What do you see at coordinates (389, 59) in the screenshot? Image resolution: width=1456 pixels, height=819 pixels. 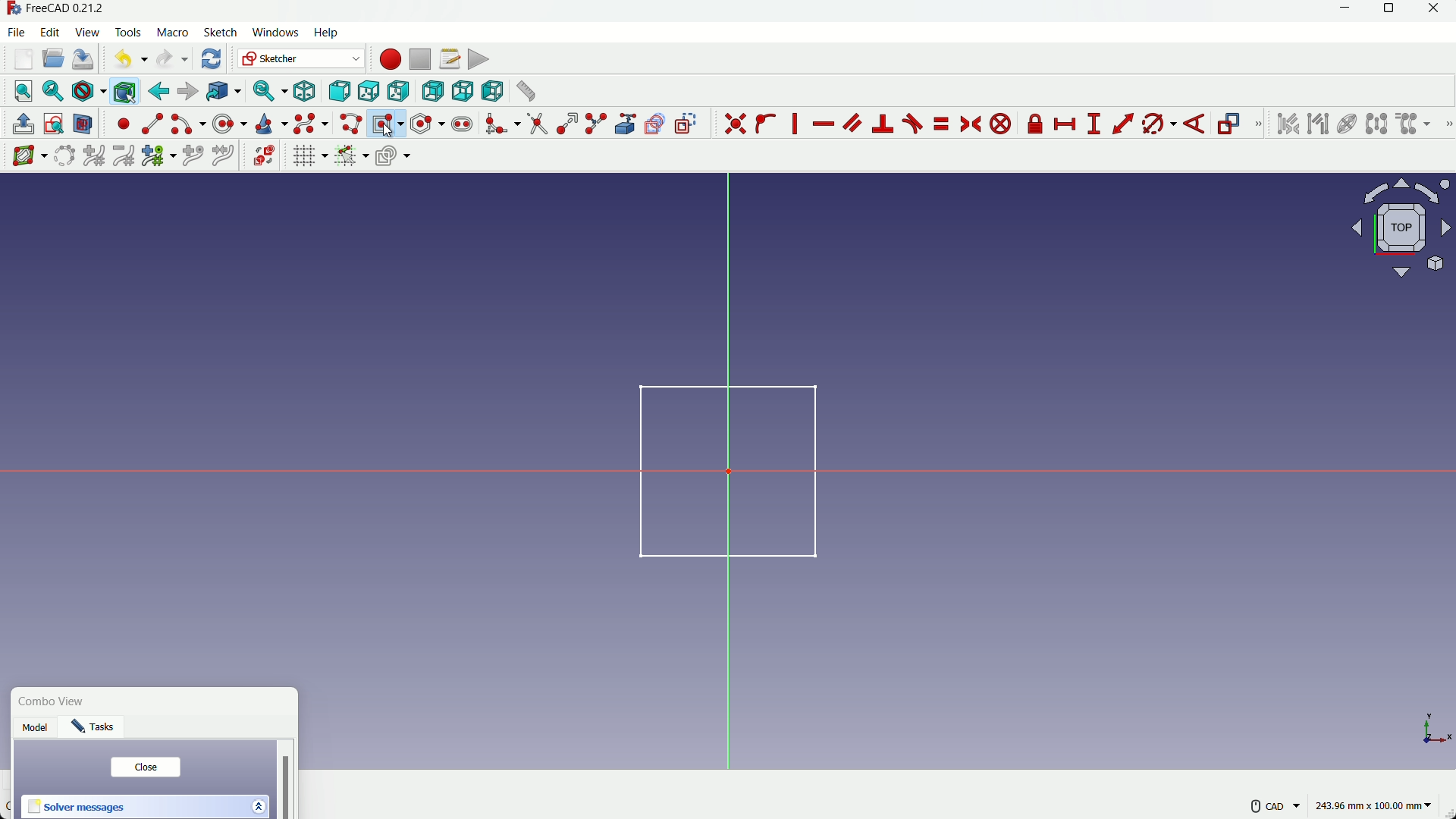 I see `start macros` at bounding box center [389, 59].